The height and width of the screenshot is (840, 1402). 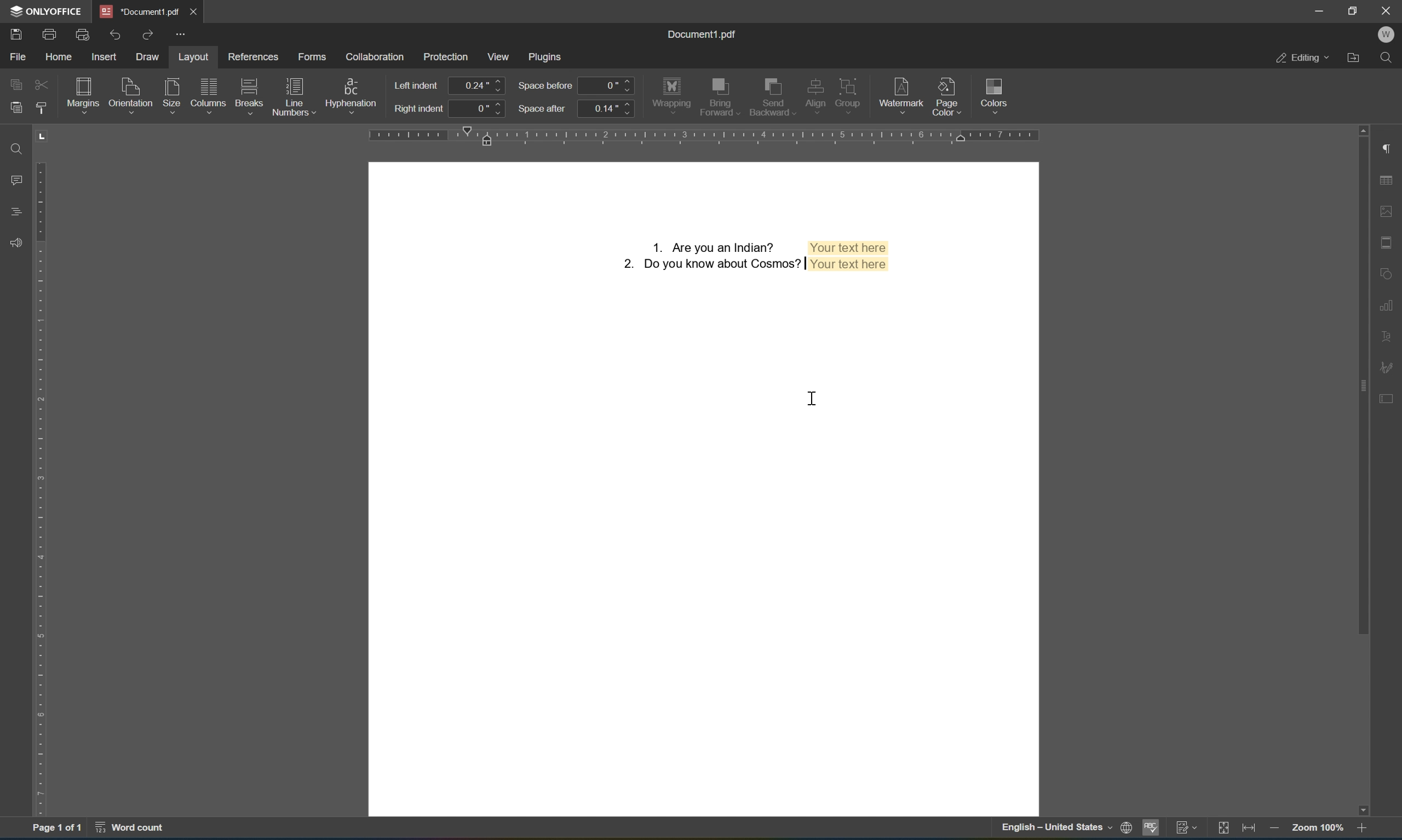 What do you see at coordinates (16, 242) in the screenshot?
I see `Feedback & support` at bounding box center [16, 242].